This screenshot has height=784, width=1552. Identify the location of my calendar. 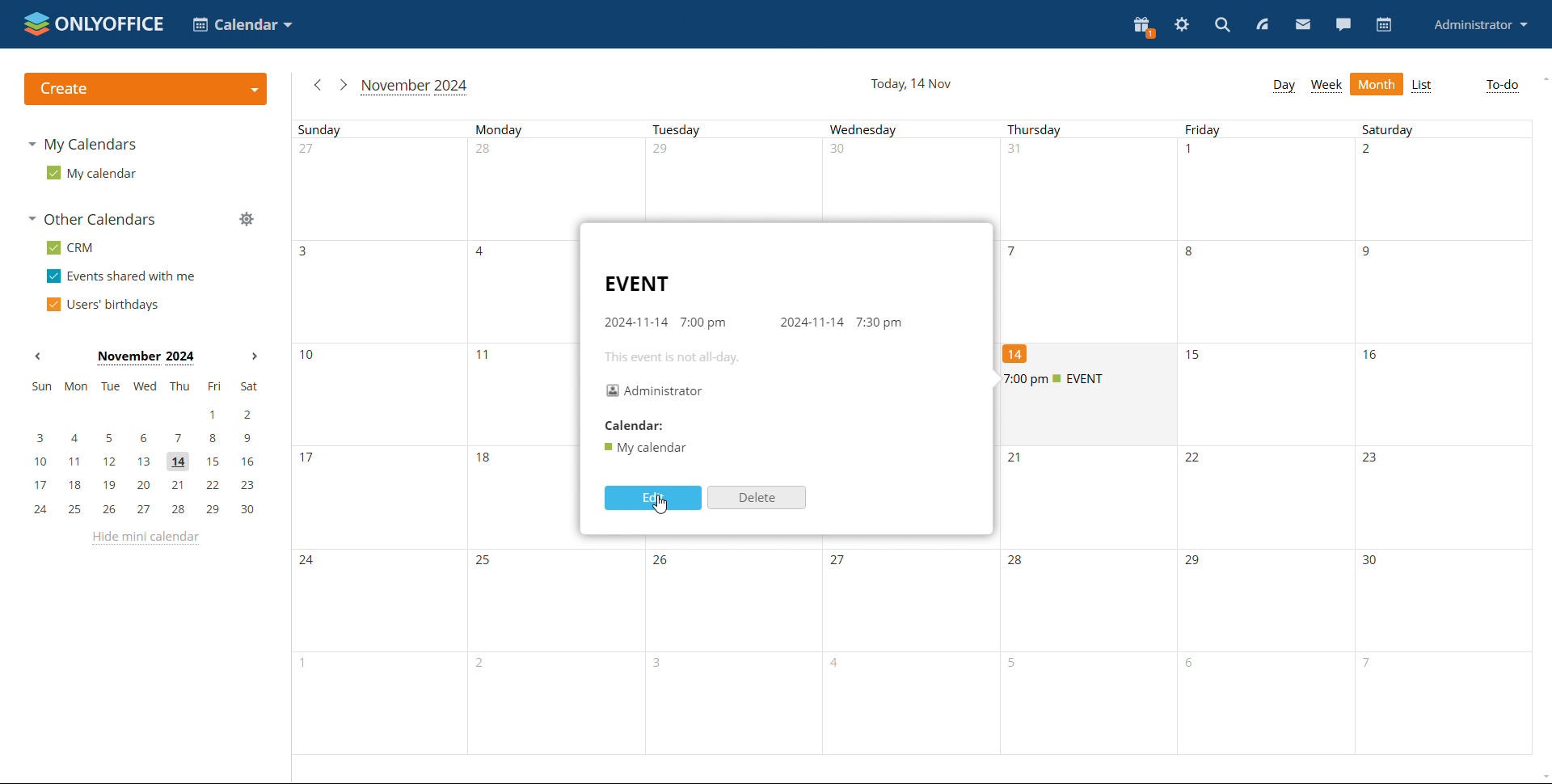
(92, 173).